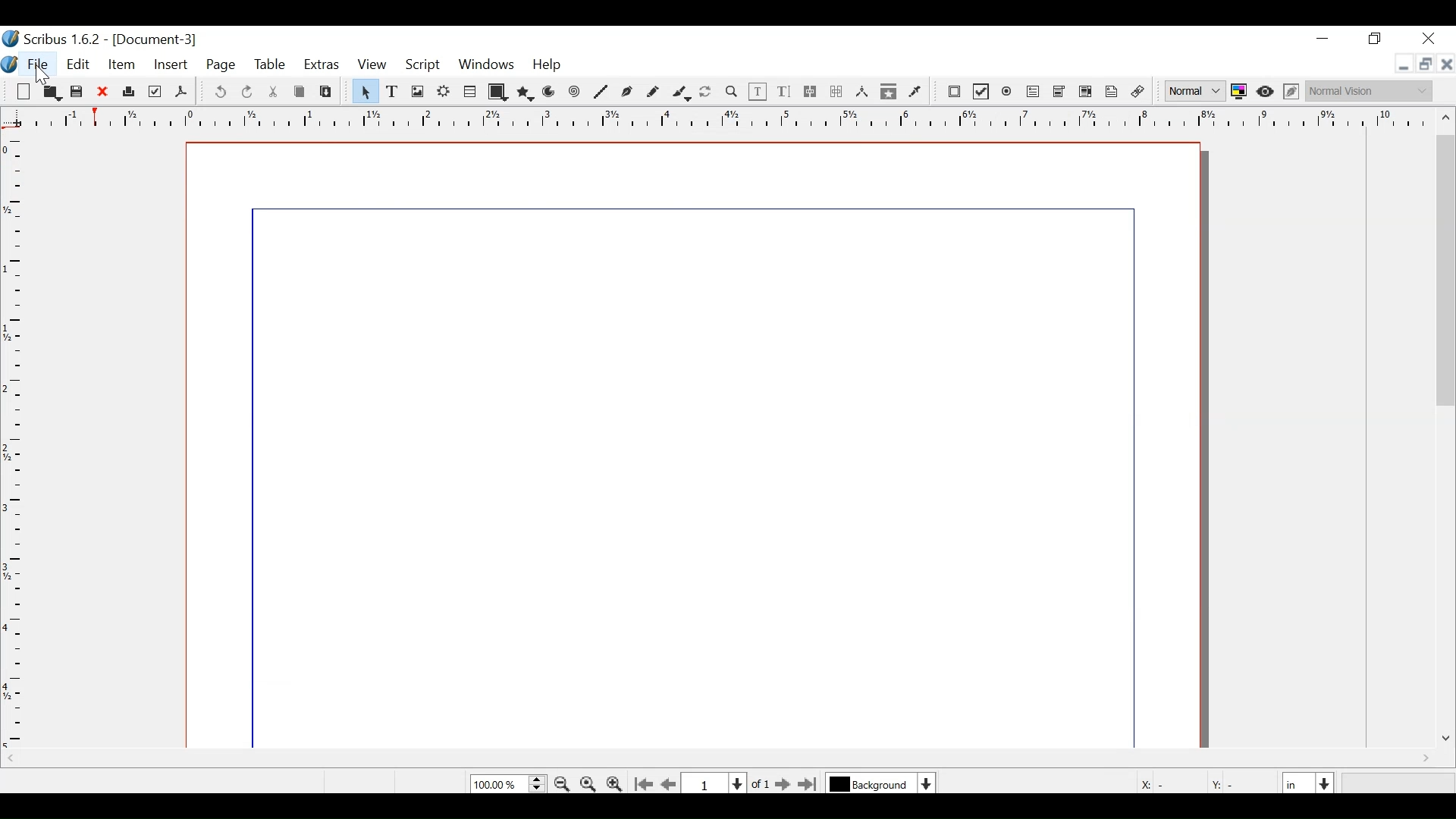 Image resolution: width=1456 pixels, height=819 pixels. Describe the element at coordinates (325, 93) in the screenshot. I see `Paste` at that location.